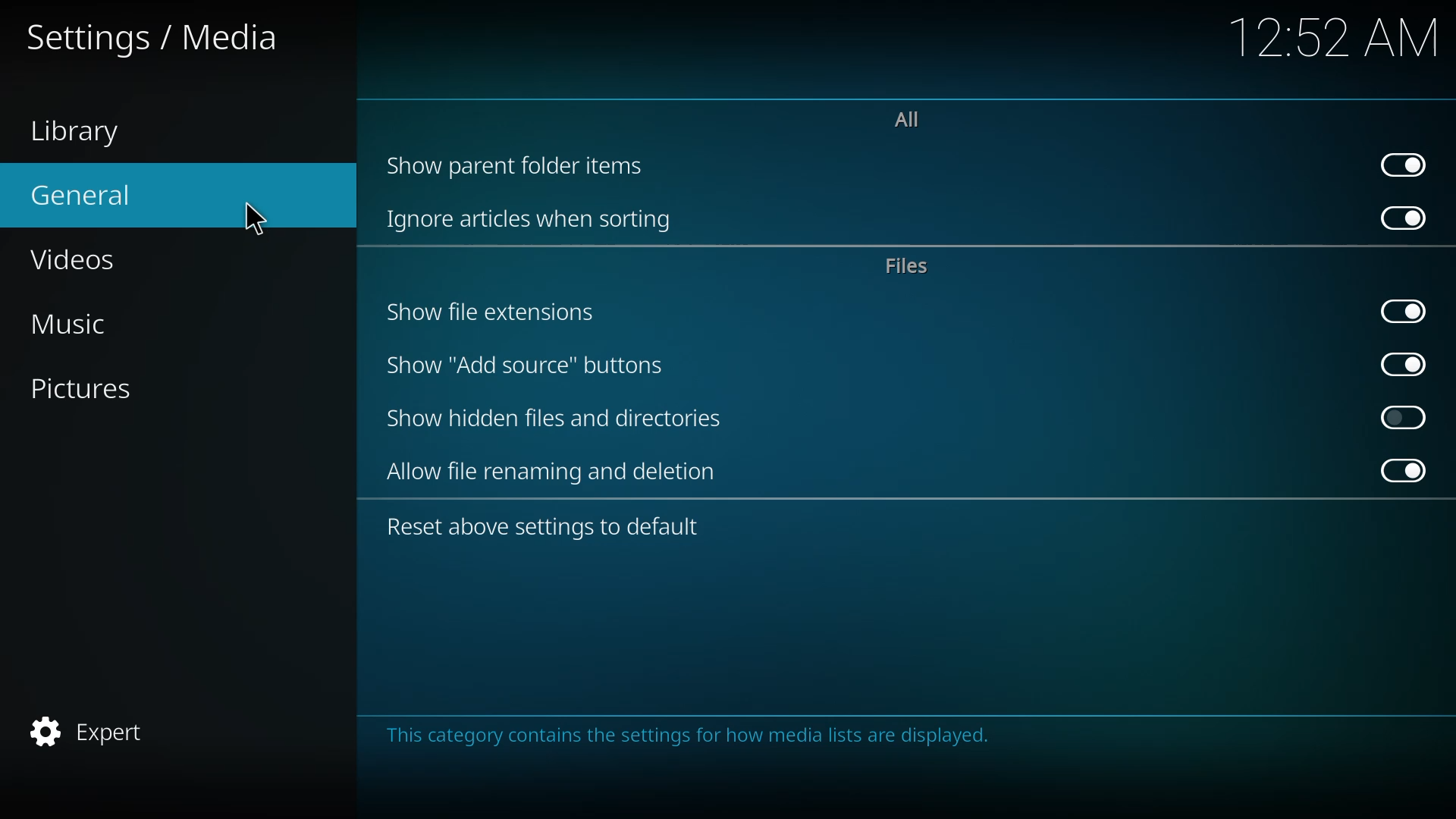 This screenshot has height=819, width=1456. I want to click on all, so click(912, 121).